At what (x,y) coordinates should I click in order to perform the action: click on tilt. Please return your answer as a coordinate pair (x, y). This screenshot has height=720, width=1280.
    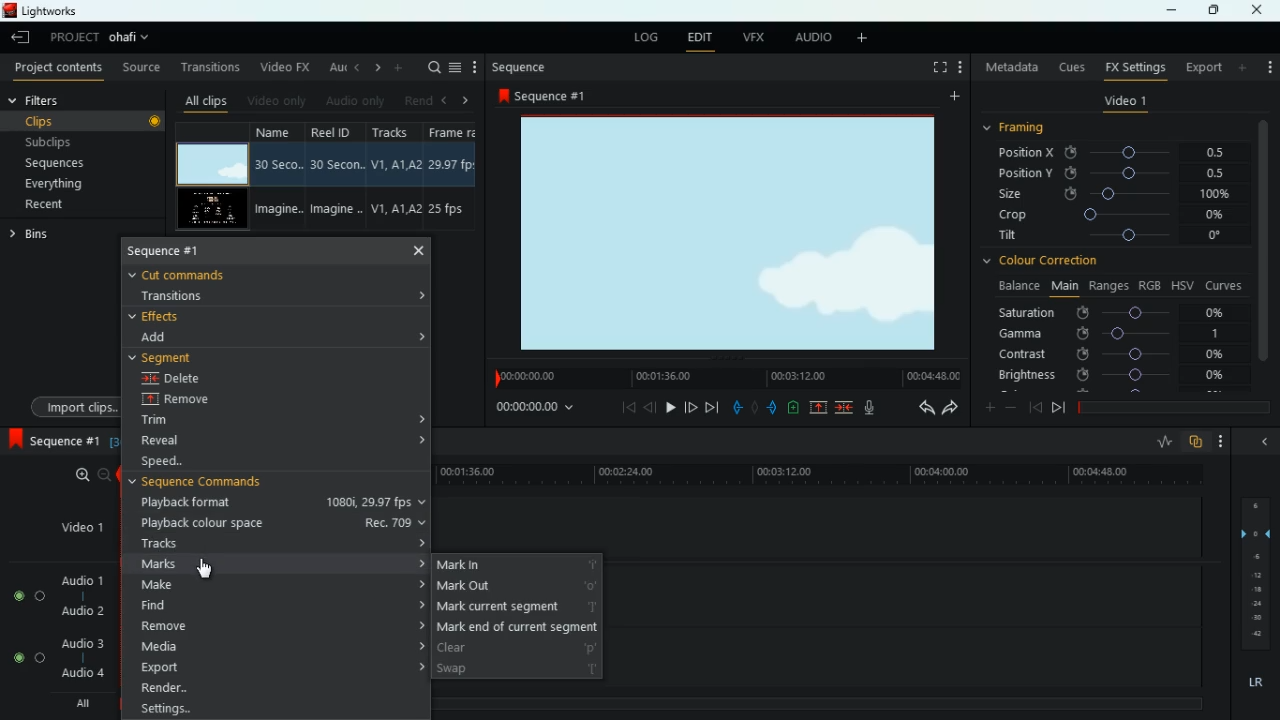
    Looking at the image, I should click on (1112, 238).